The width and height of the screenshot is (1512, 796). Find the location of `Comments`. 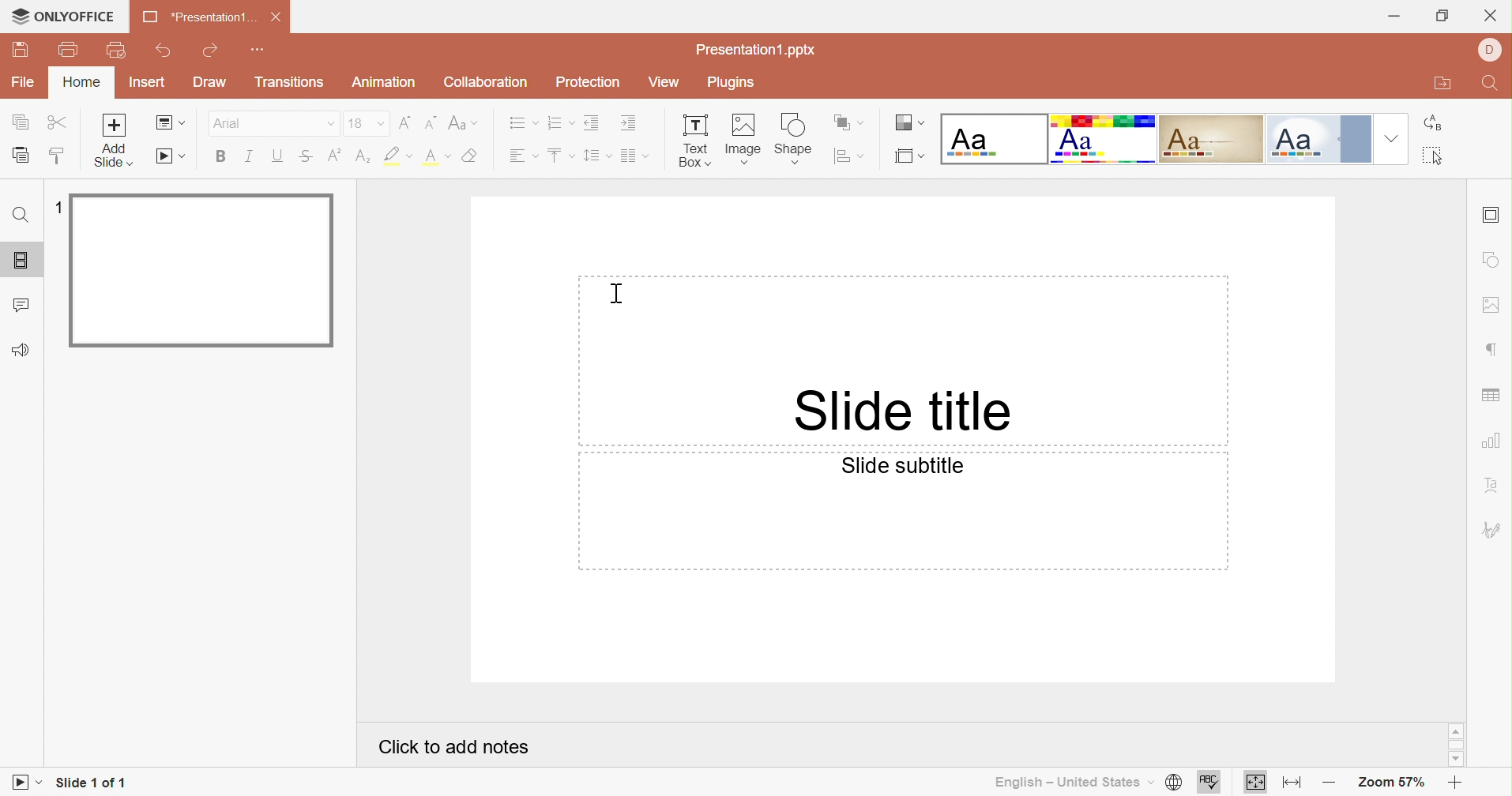

Comments is located at coordinates (22, 306).